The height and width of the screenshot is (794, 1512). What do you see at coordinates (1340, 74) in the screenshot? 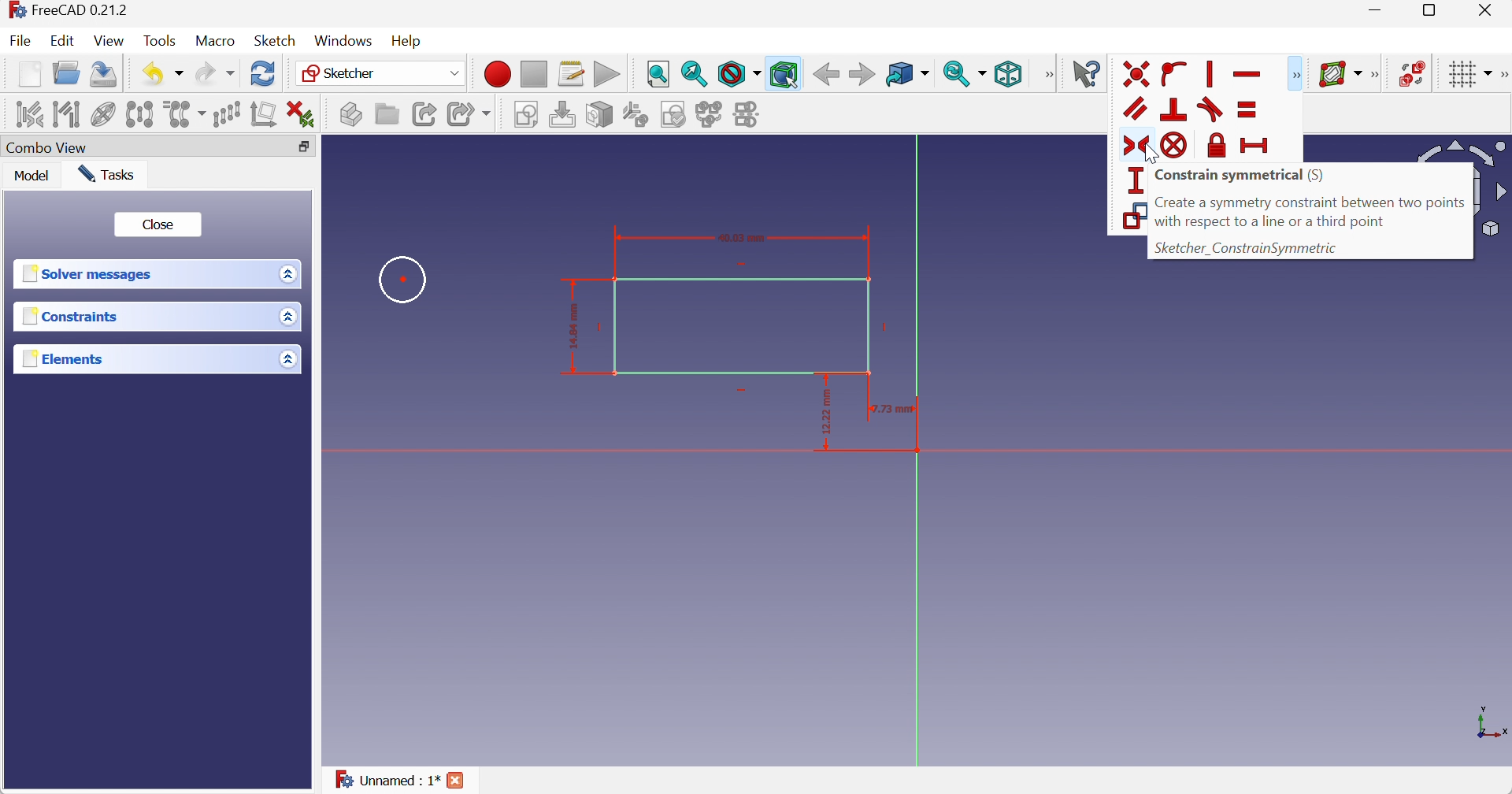
I see `[Show/hide B-spline information layer]` at bounding box center [1340, 74].